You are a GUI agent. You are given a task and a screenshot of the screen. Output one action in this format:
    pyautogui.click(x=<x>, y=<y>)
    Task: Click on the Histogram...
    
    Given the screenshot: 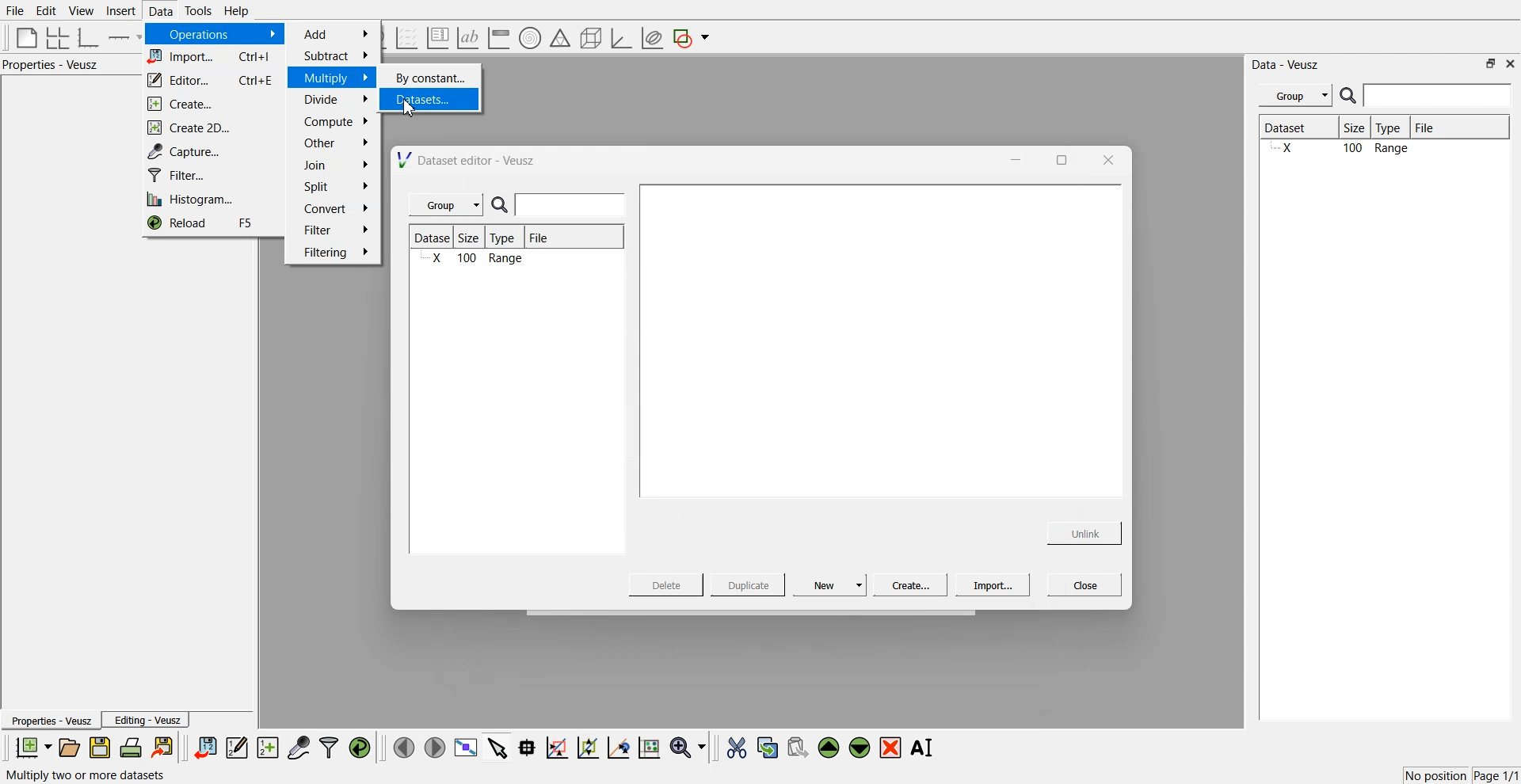 What is the action you would take?
    pyautogui.click(x=208, y=200)
    